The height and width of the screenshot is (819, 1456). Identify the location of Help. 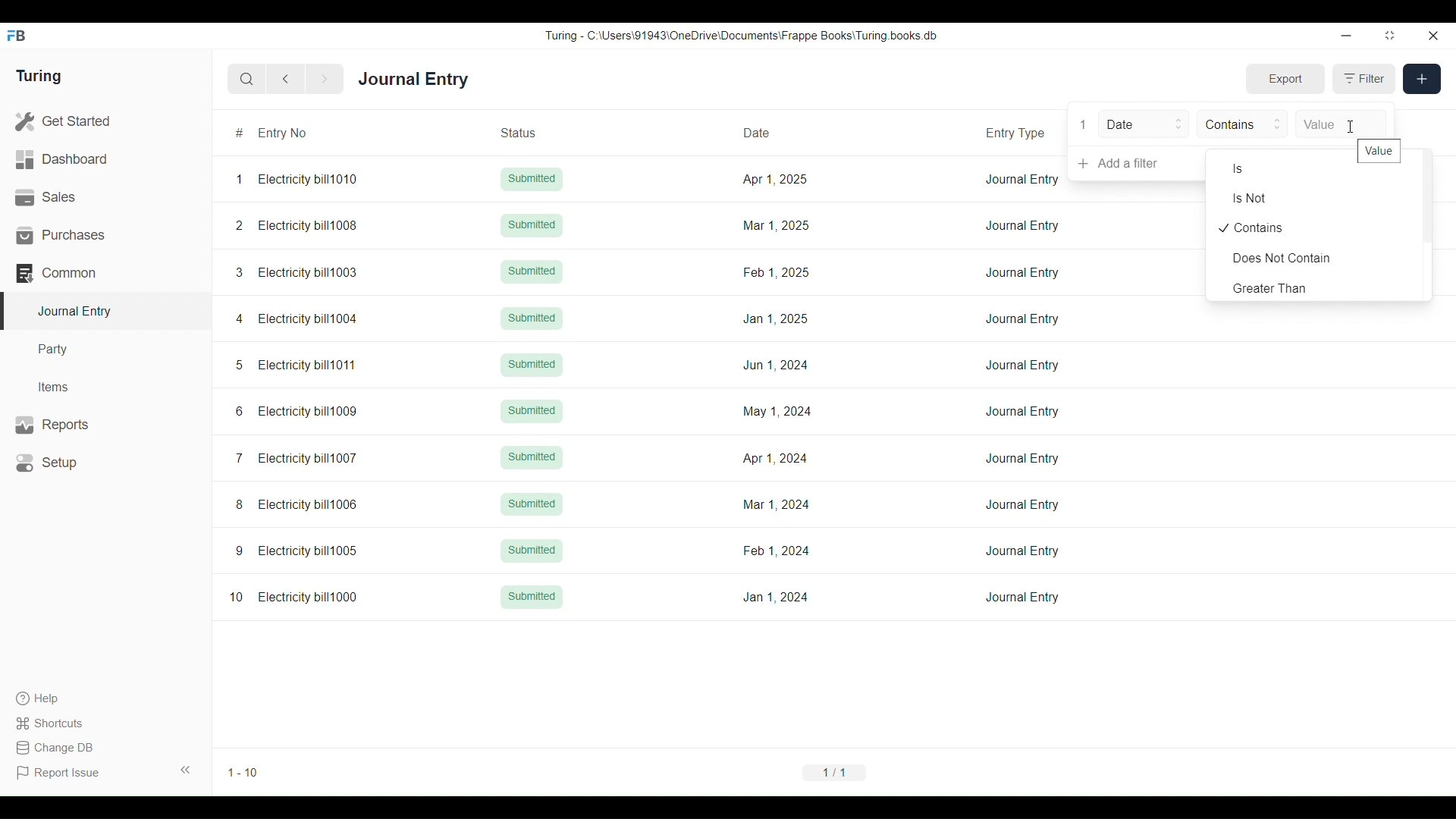
(57, 698).